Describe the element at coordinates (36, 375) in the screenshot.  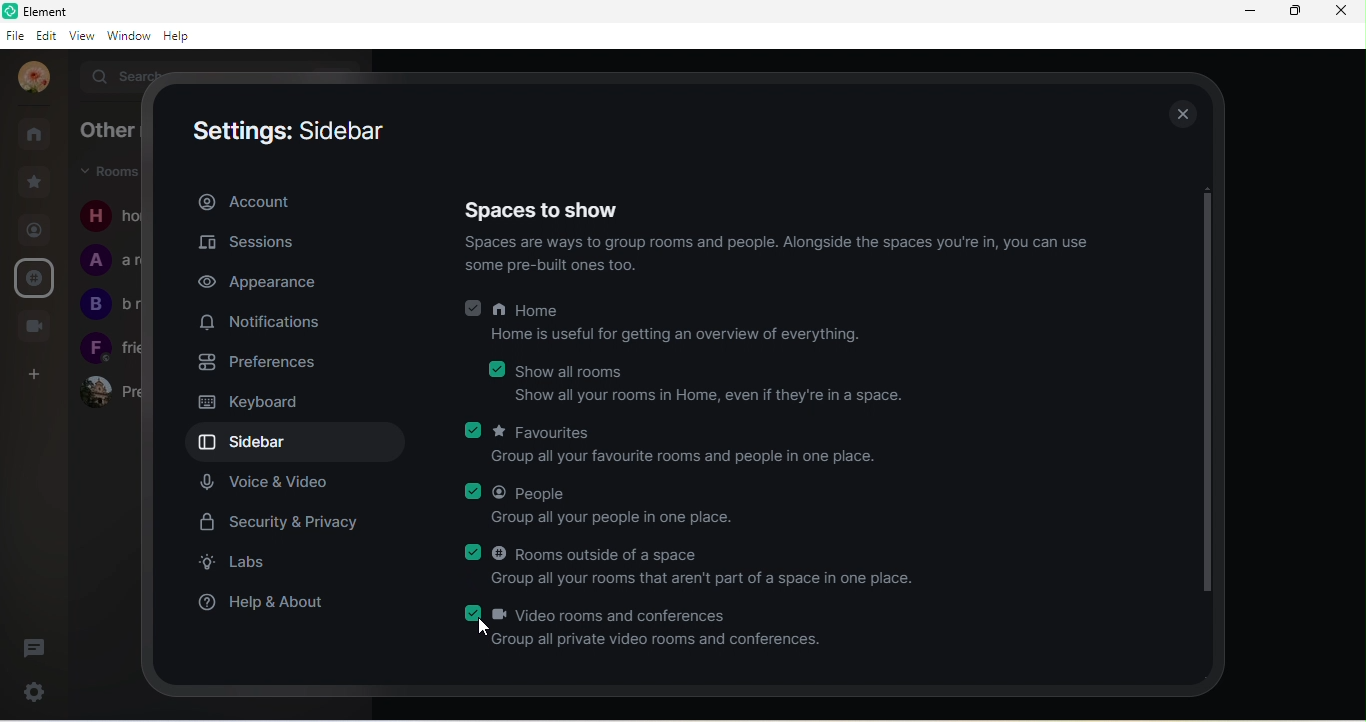
I see `create a space ` at that location.